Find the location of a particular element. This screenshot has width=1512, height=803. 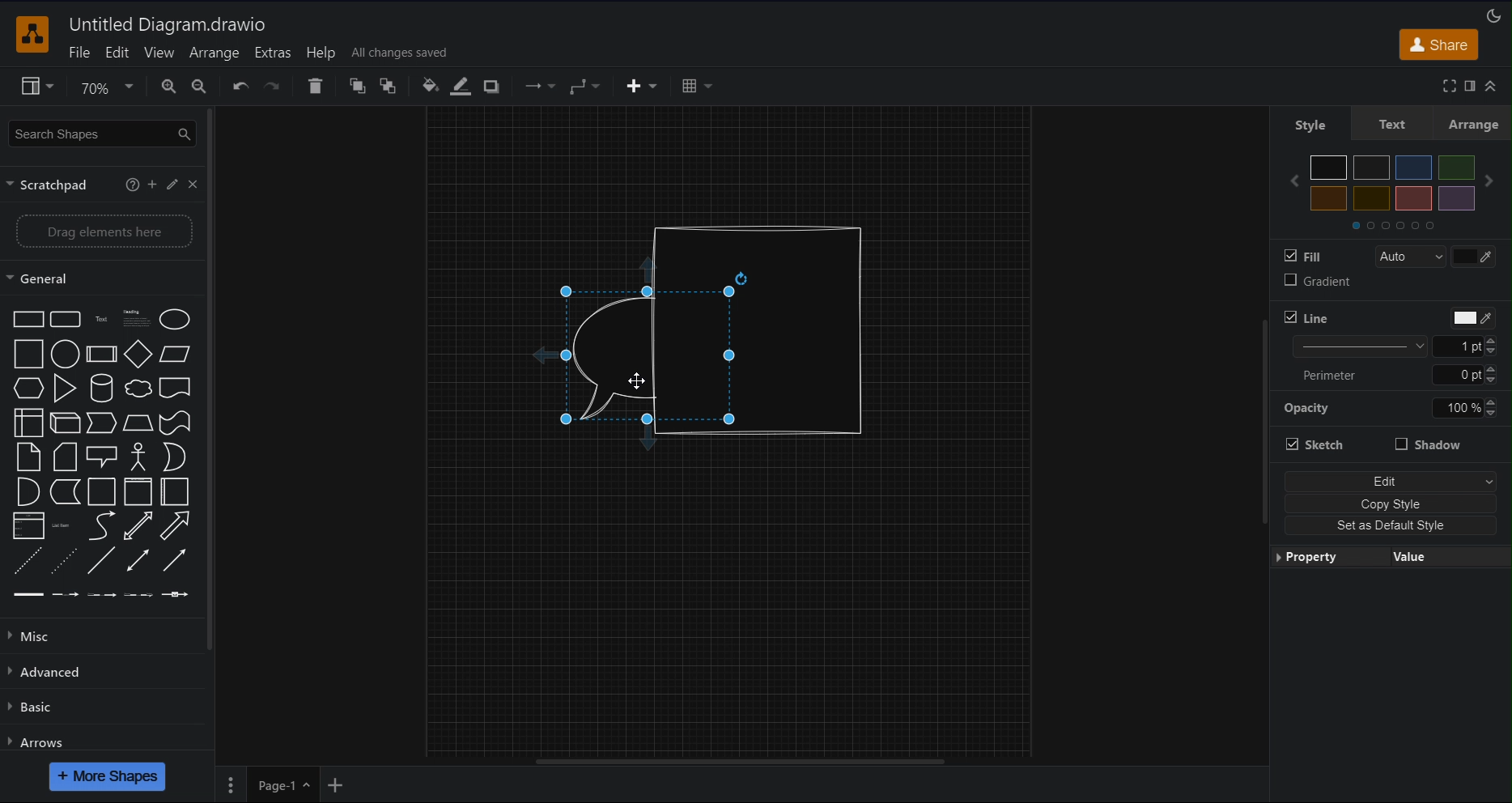

More Shapes is located at coordinates (108, 777).